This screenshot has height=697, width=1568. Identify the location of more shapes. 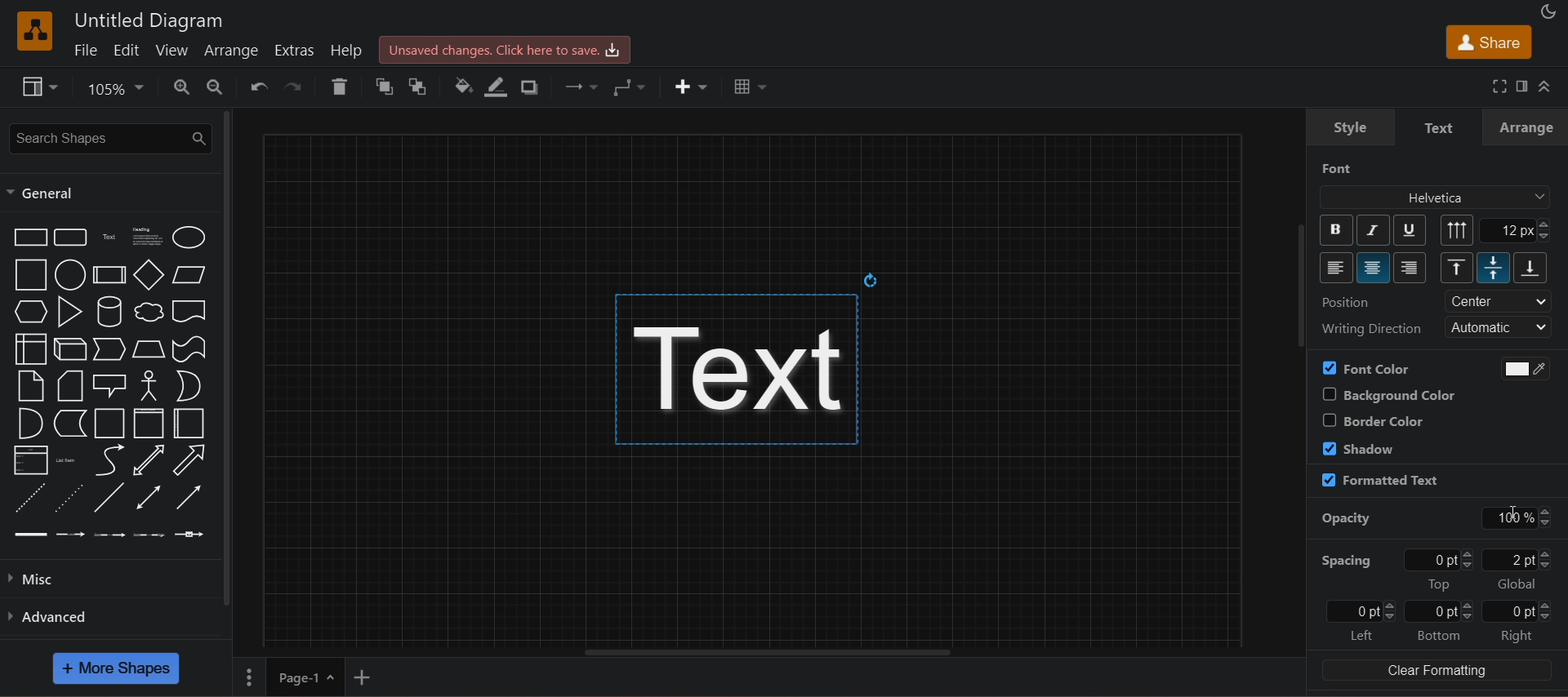
(116, 668).